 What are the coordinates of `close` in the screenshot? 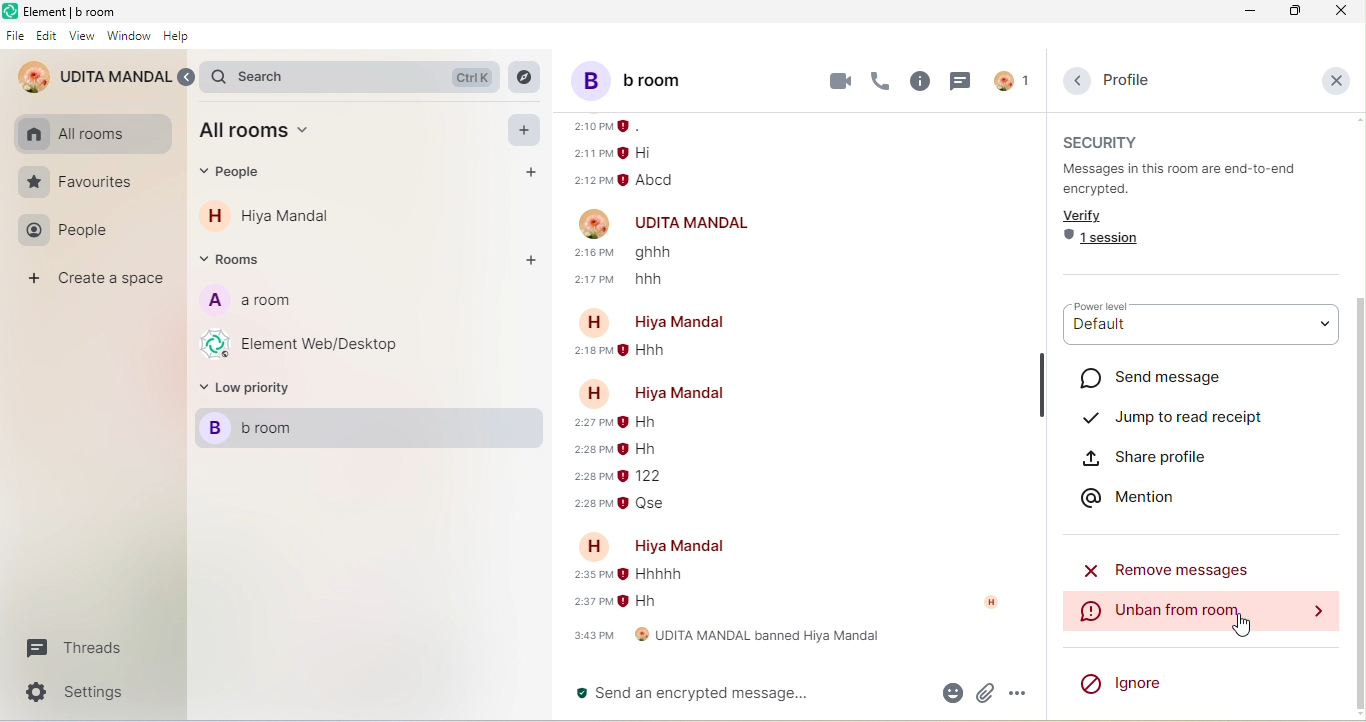 It's located at (1340, 11).